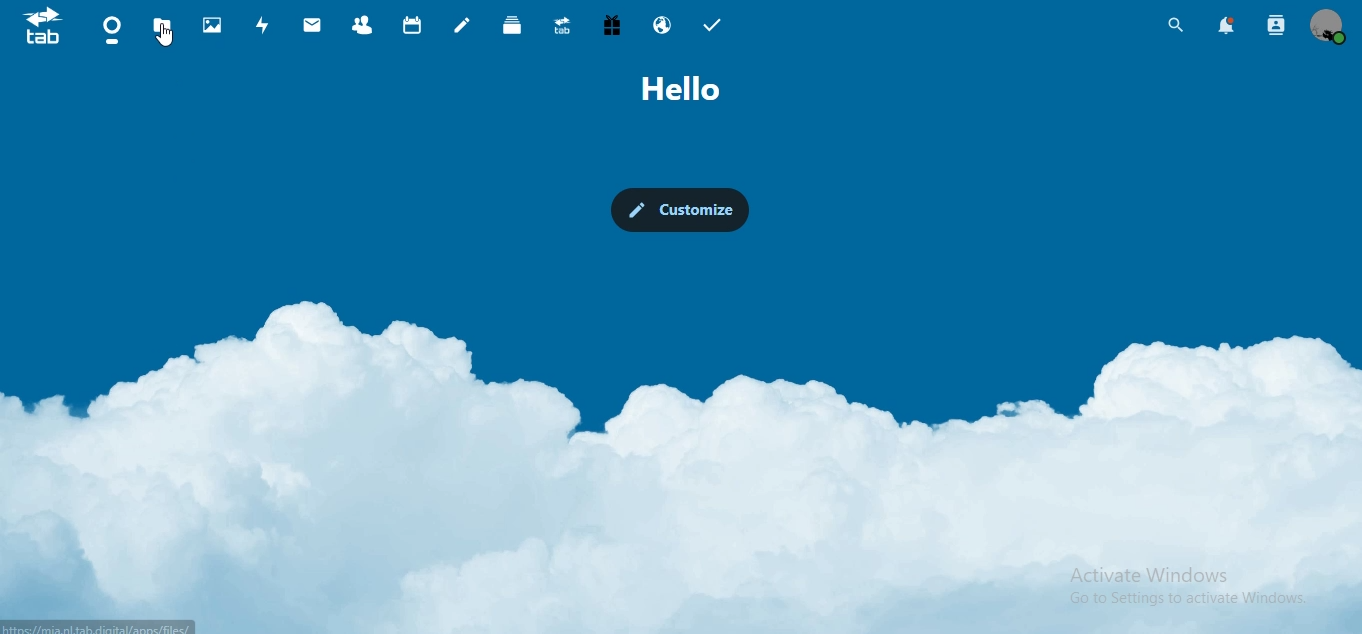 Image resolution: width=1362 pixels, height=634 pixels. I want to click on notifications, so click(1228, 27).